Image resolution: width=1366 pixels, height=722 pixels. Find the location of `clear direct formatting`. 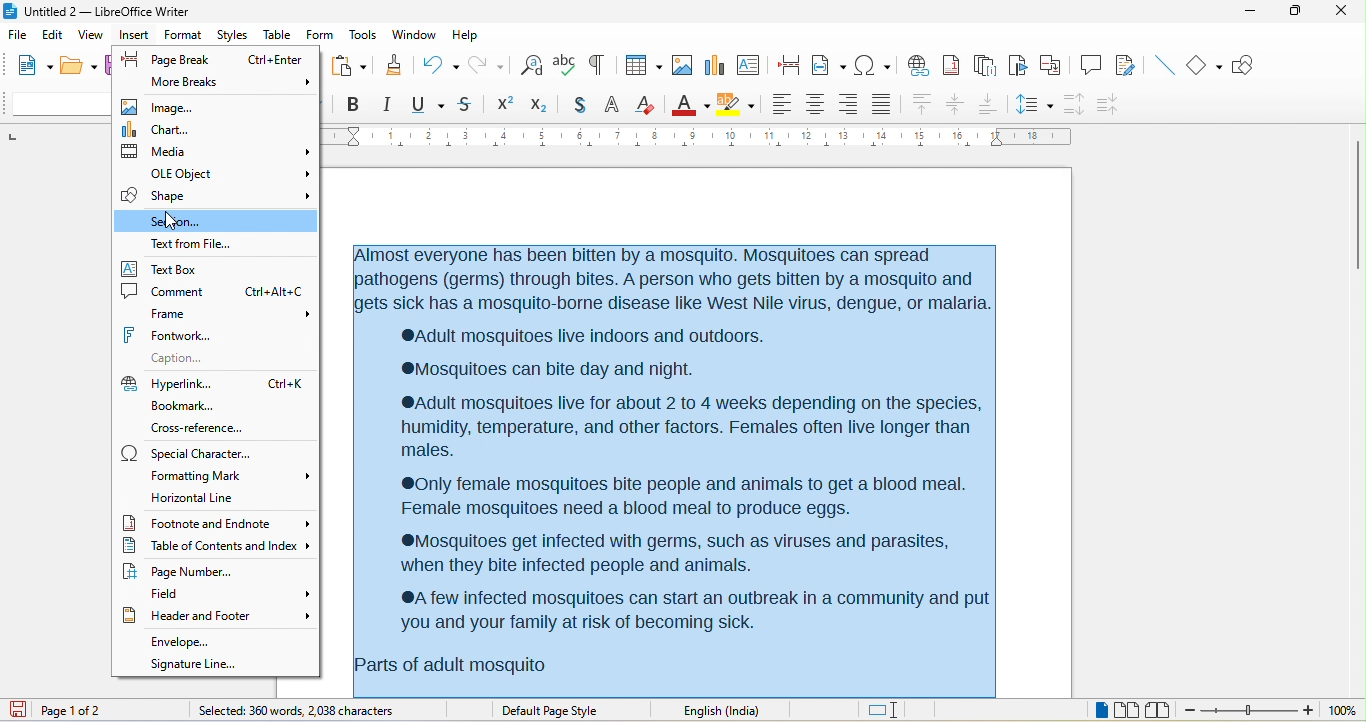

clear direct formatting is located at coordinates (647, 102).